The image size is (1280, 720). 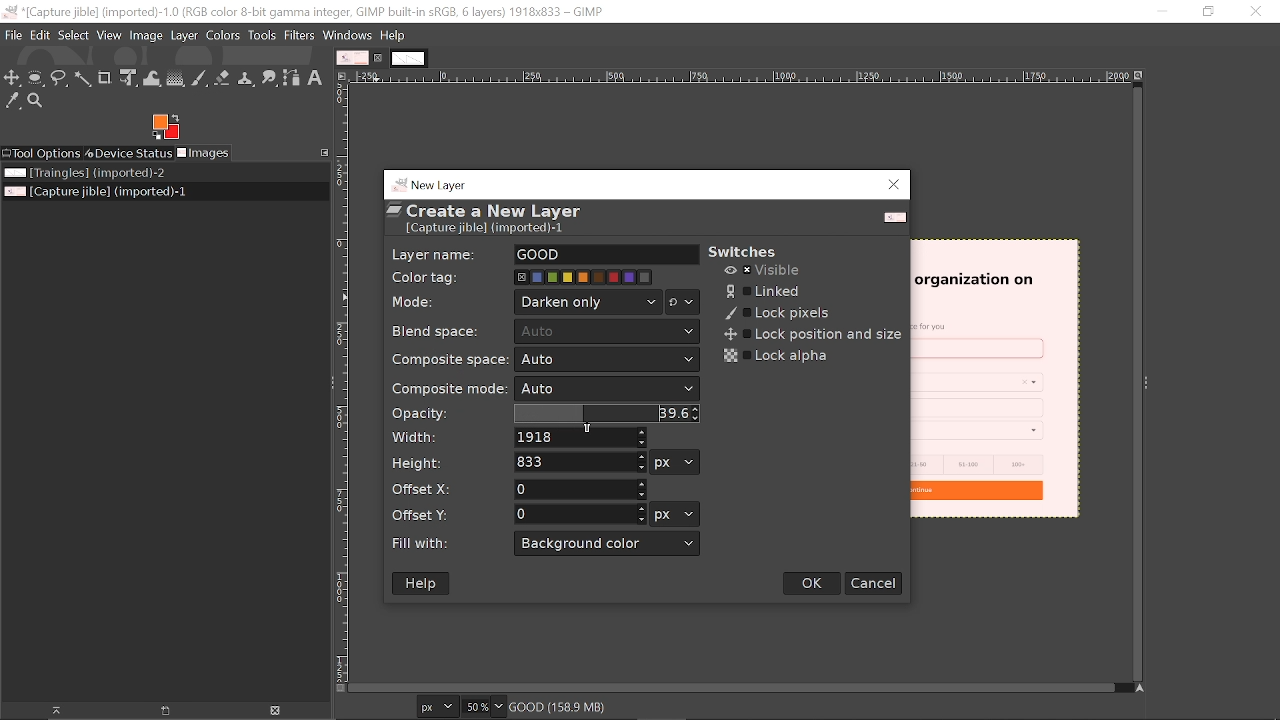 I want to click on Fill with:, so click(x=430, y=544).